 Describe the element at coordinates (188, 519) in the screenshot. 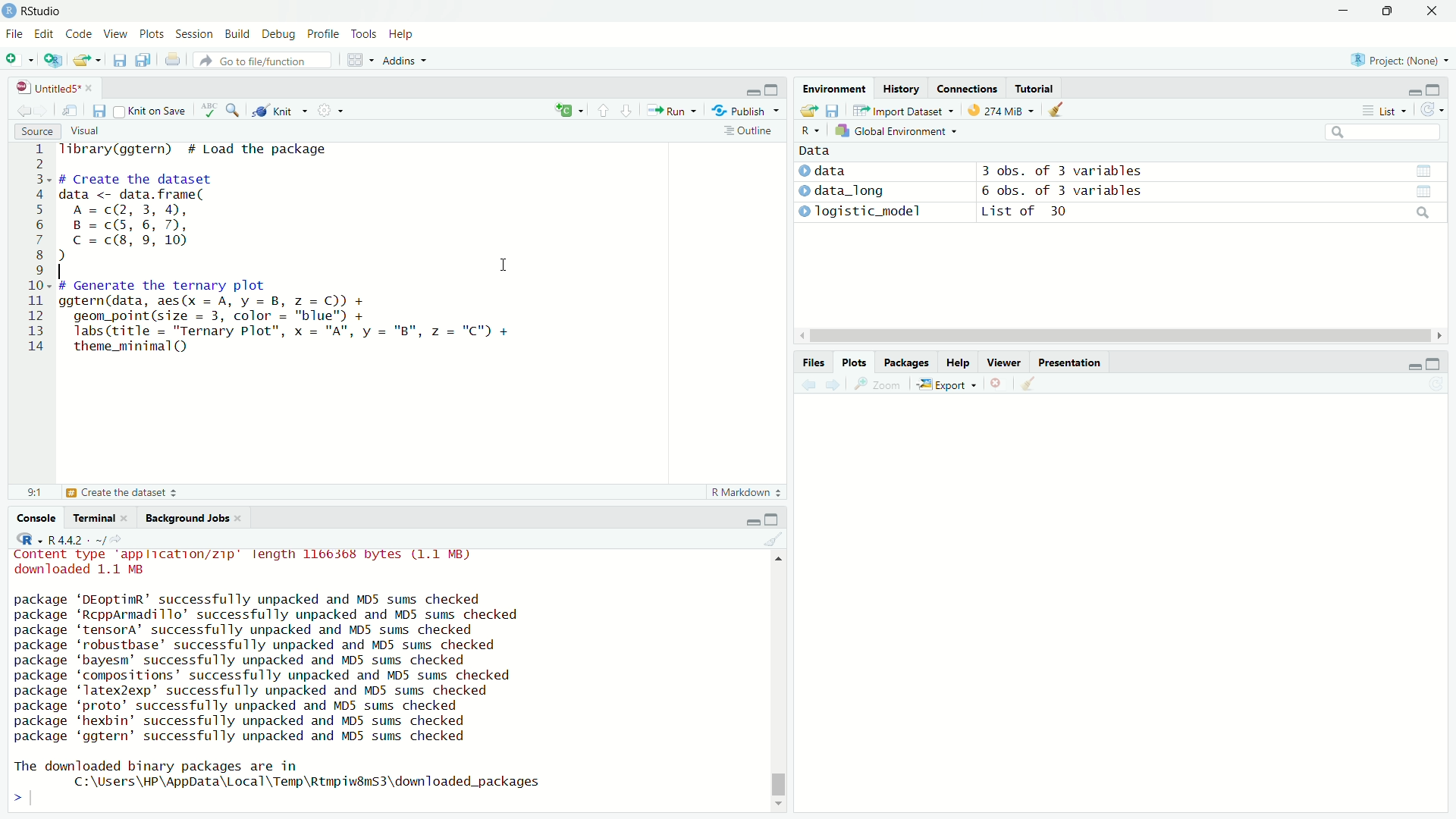

I see `Background Jobs` at that location.